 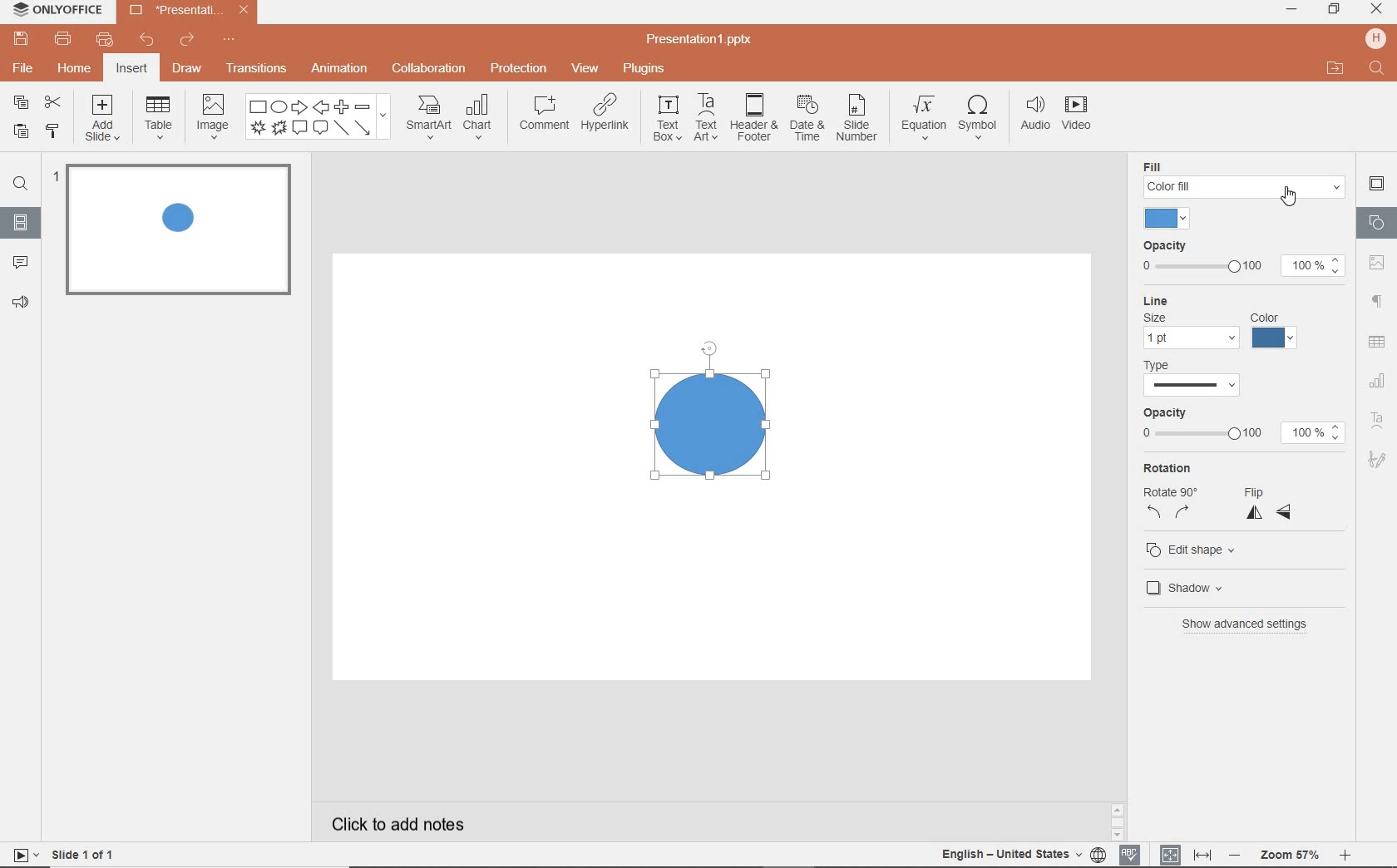 I want to click on file name, so click(x=700, y=41).